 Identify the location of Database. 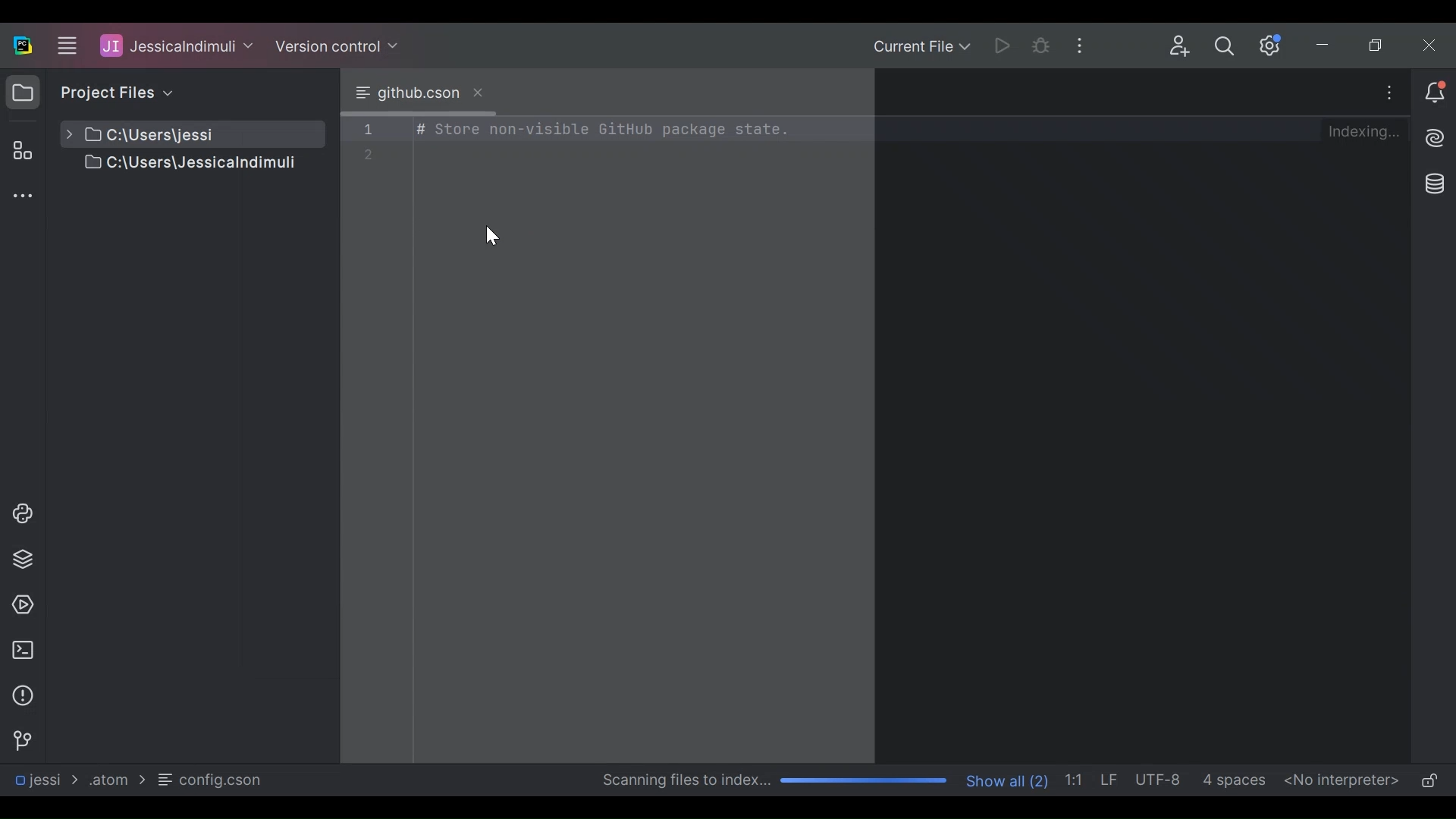
(1436, 185).